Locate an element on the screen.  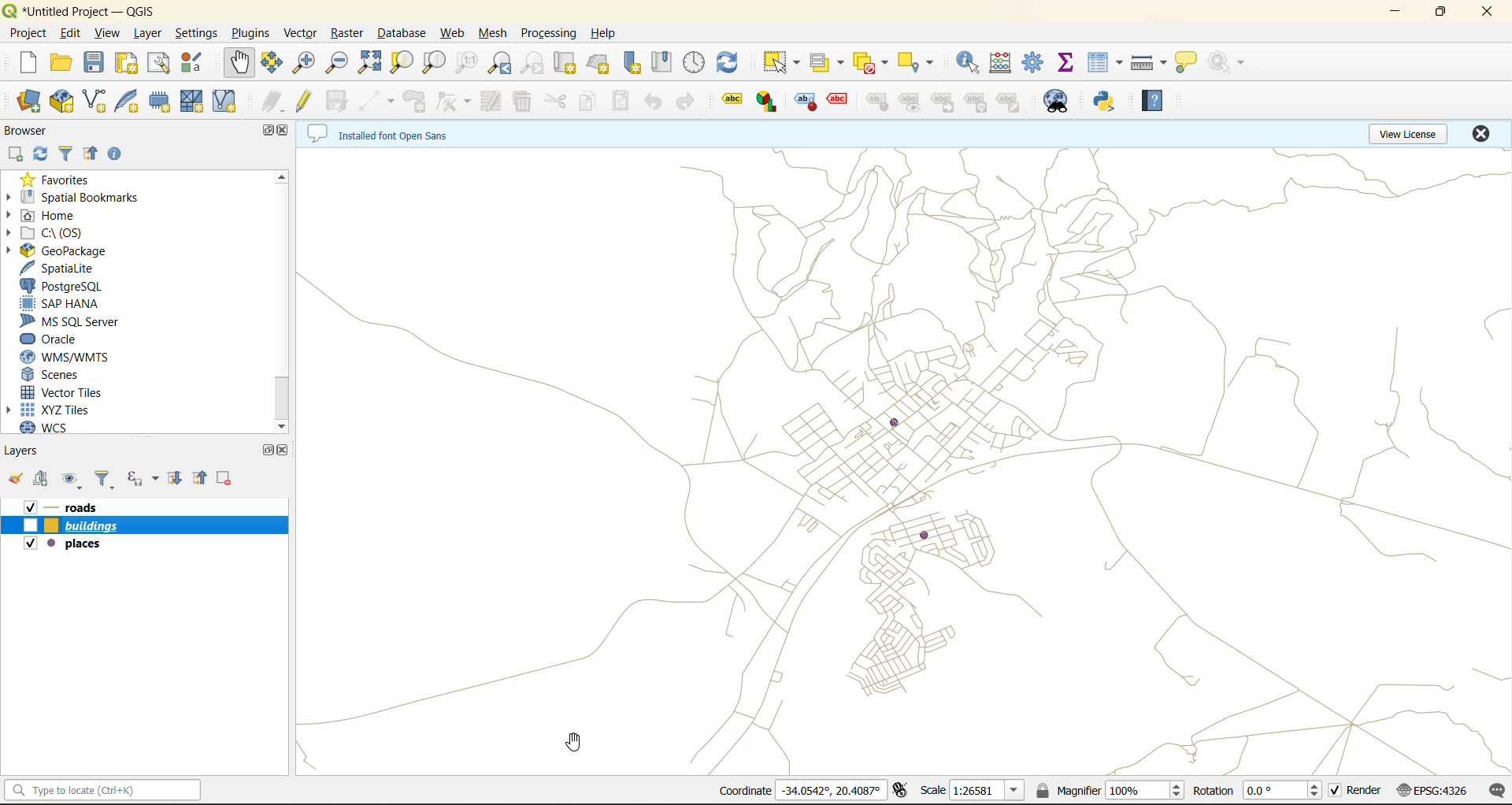
c\:os is located at coordinates (54, 233).